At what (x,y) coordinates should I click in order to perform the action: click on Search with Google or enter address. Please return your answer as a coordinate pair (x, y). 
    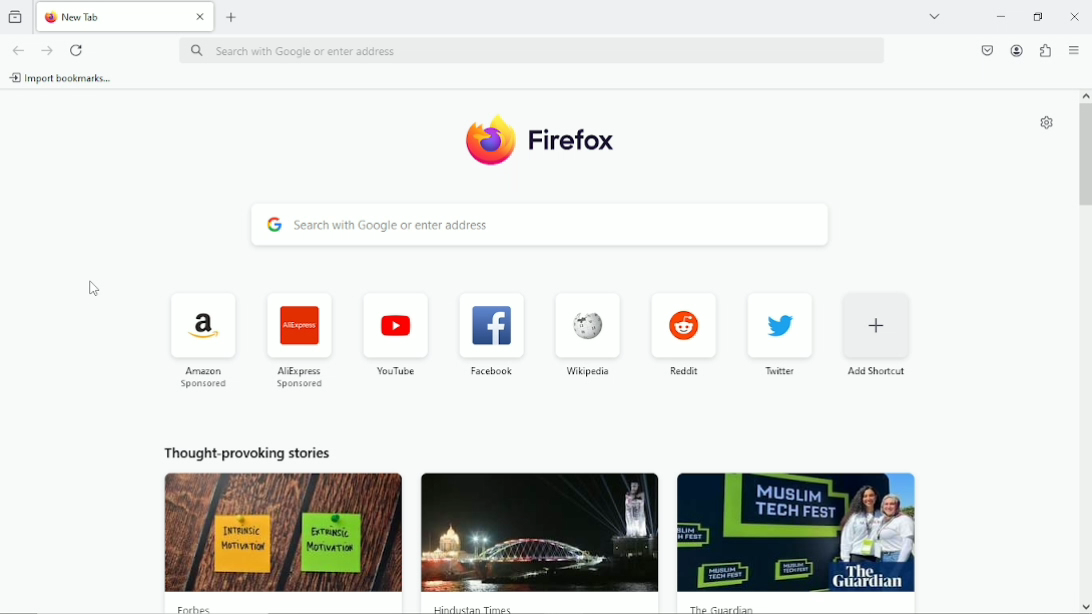
    Looking at the image, I should click on (538, 227).